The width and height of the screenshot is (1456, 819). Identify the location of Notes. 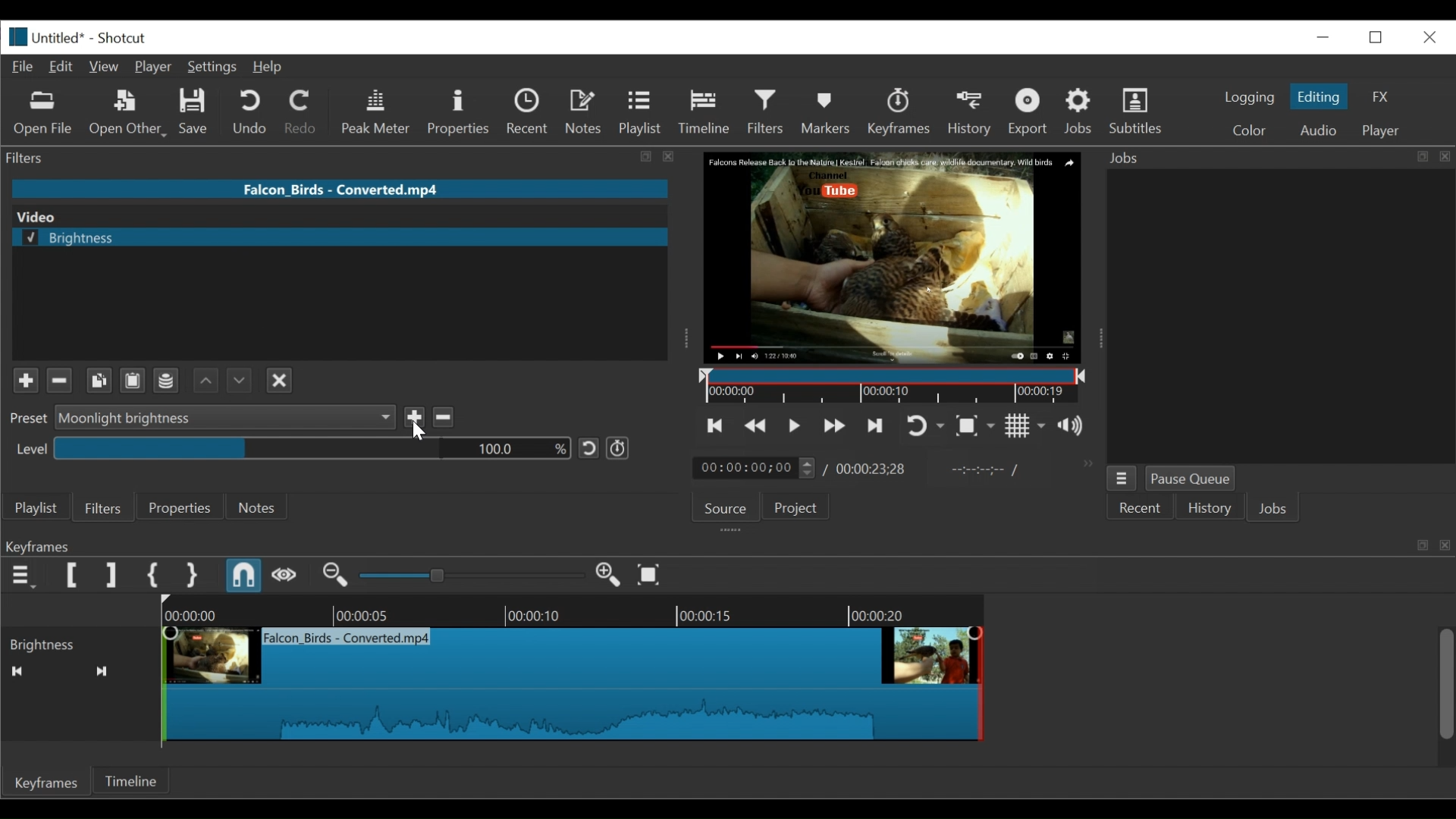
(585, 111).